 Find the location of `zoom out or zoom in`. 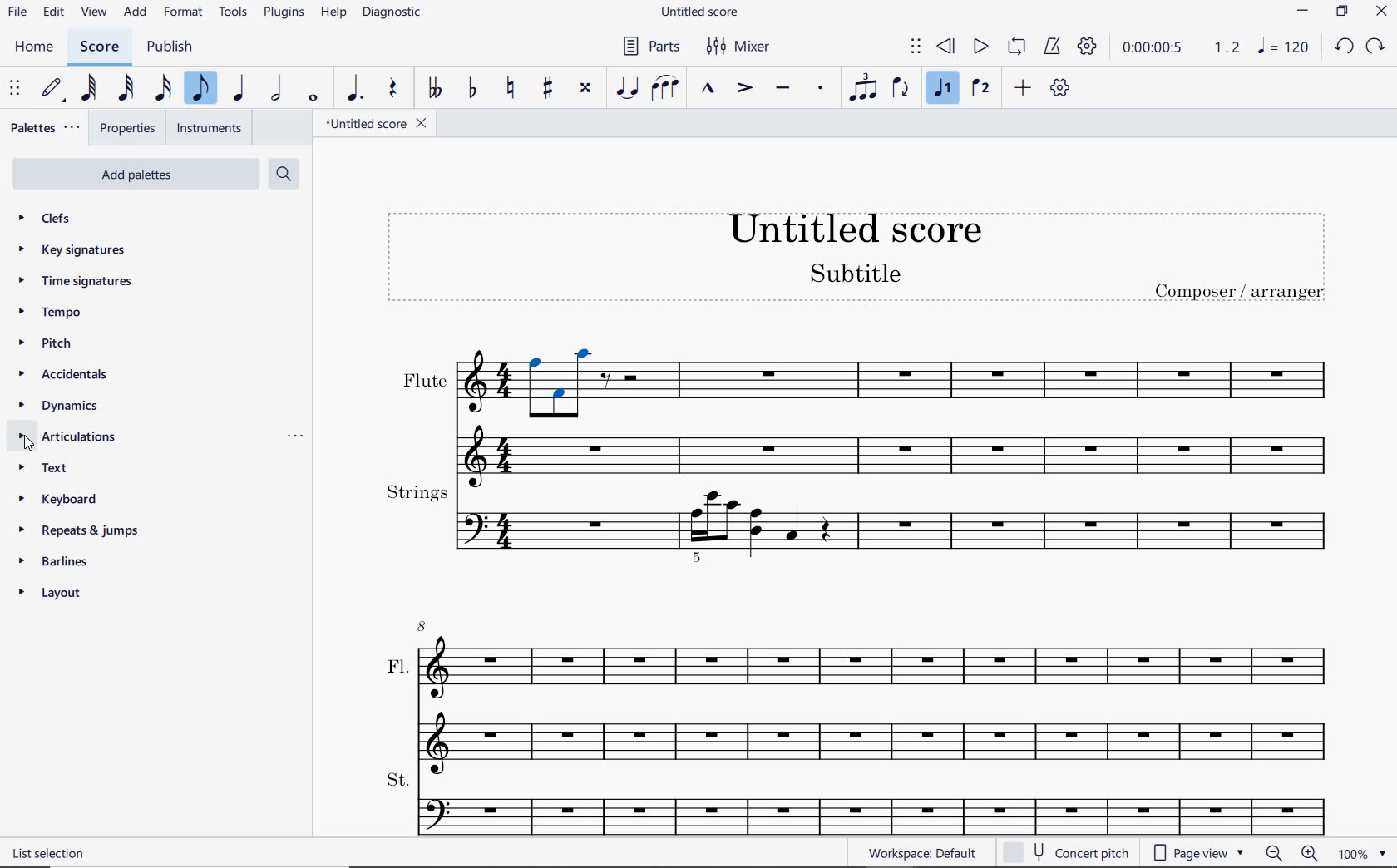

zoom out or zoom in is located at coordinates (1291, 854).